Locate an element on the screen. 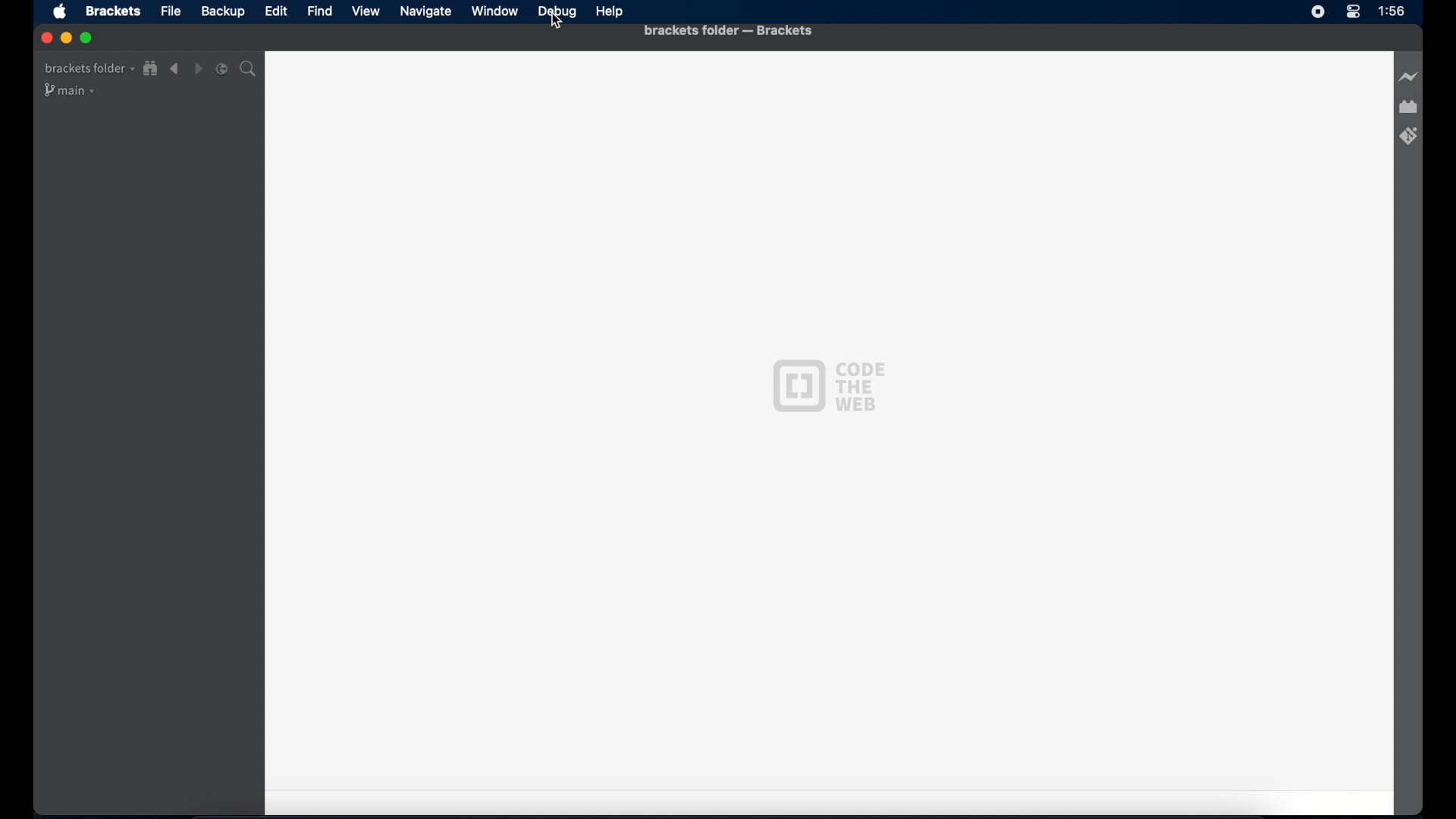  edit is located at coordinates (275, 11).